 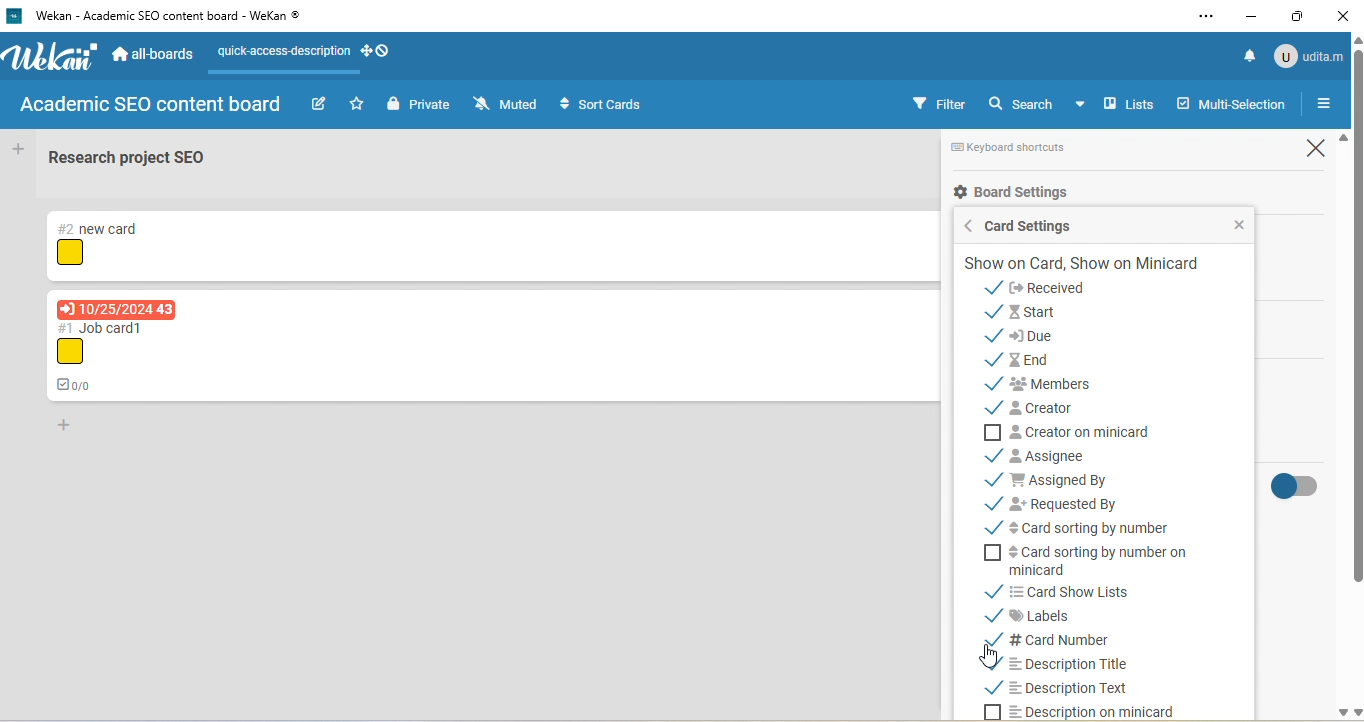 I want to click on description title, so click(x=1064, y=664).